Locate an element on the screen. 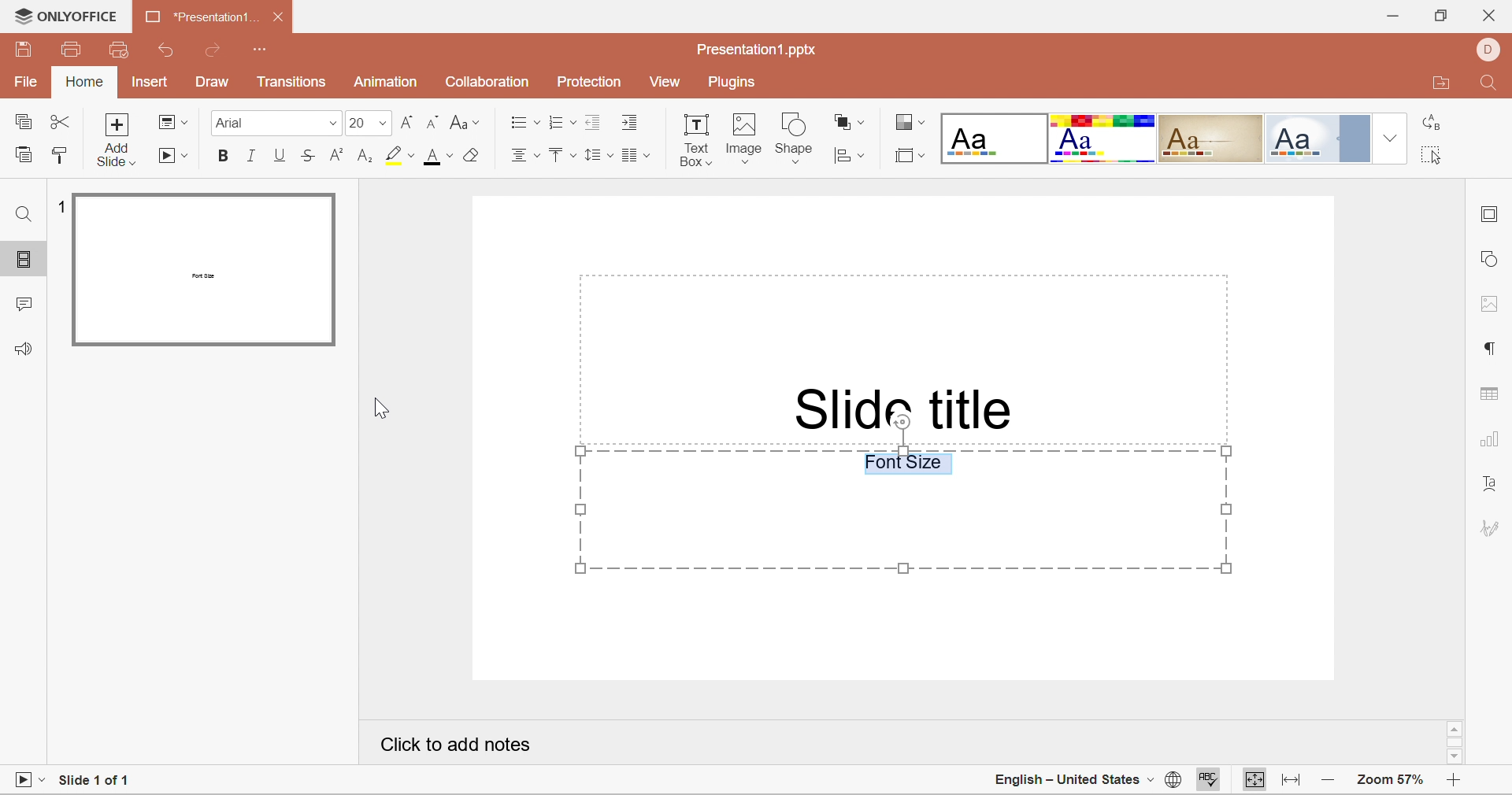  Draw is located at coordinates (214, 83).